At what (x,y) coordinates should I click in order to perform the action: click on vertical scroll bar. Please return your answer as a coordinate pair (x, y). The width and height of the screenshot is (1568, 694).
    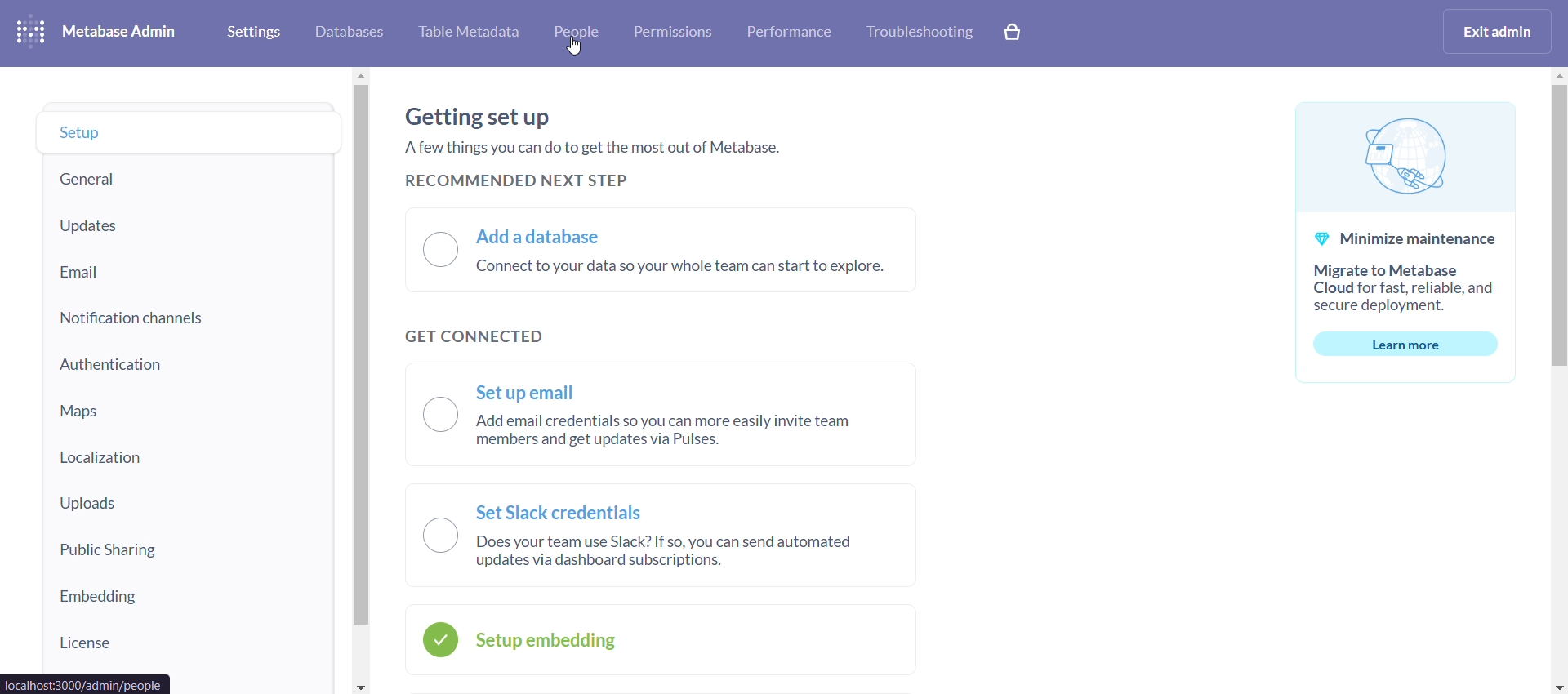
    Looking at the image, I should click on (1558, 379).